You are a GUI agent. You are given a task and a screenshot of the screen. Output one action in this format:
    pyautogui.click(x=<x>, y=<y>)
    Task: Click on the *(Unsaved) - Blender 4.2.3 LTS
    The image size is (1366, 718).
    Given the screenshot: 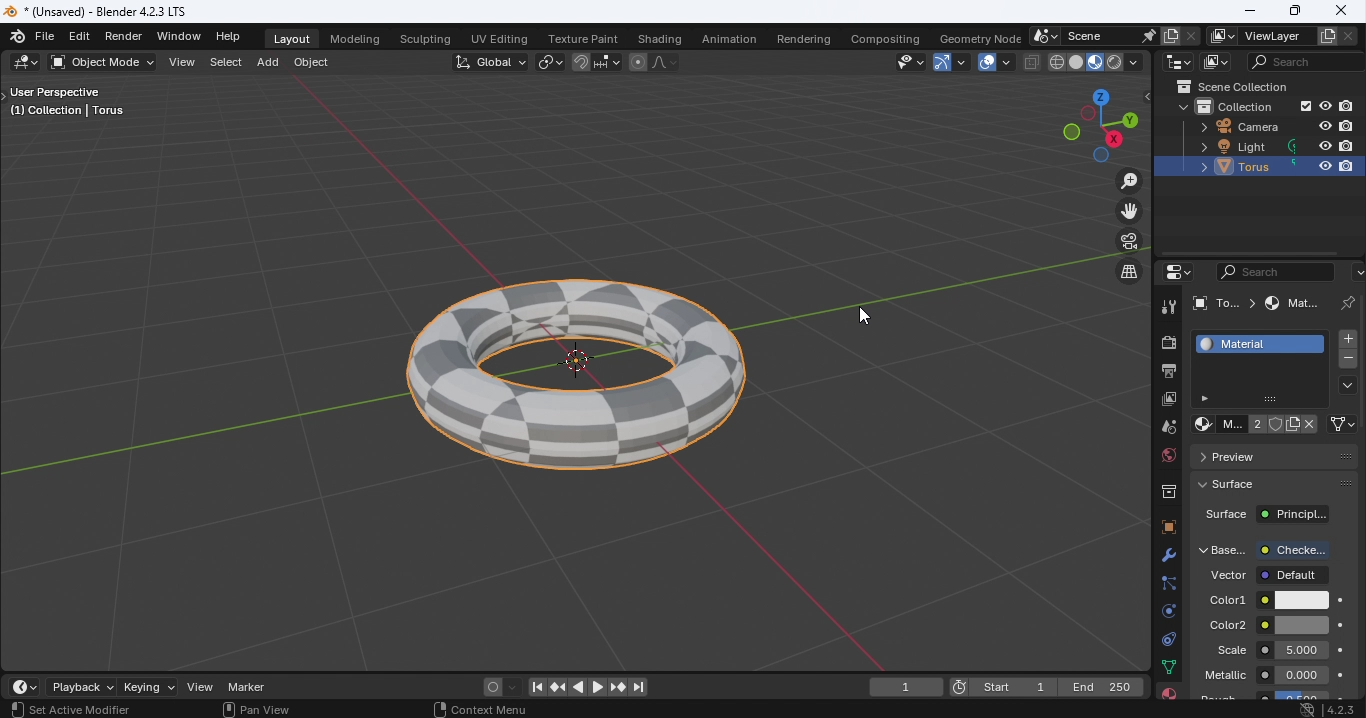 What is the action you would take?
    pyautogui.click(x=96, y=12)
    